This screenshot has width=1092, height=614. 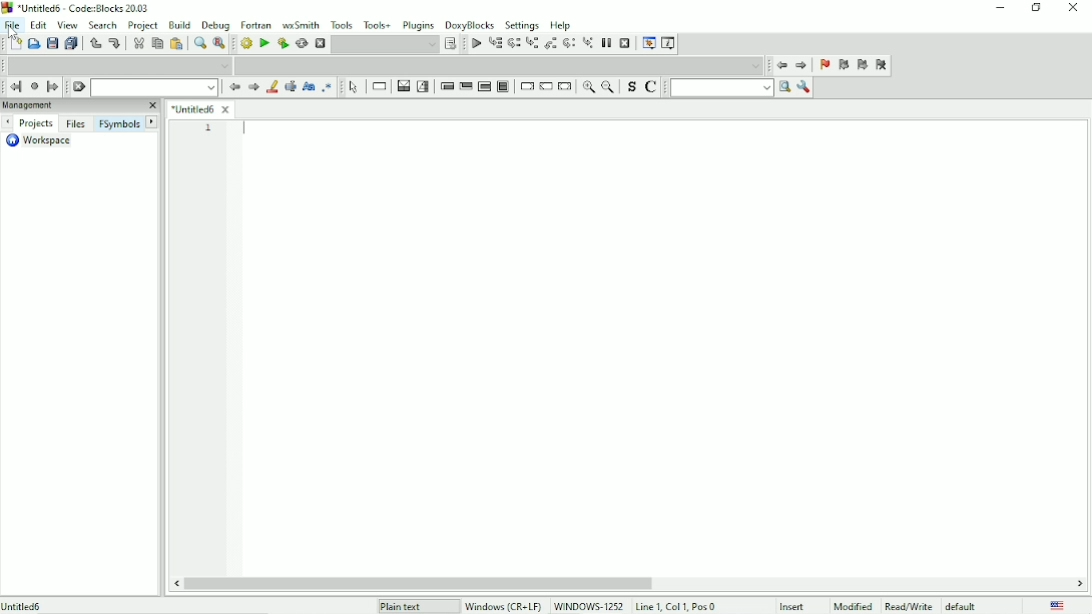 What do you see at coordinates (379, 87) in the screenshot?
I see `Instruction` at bounding box center [379, 87].